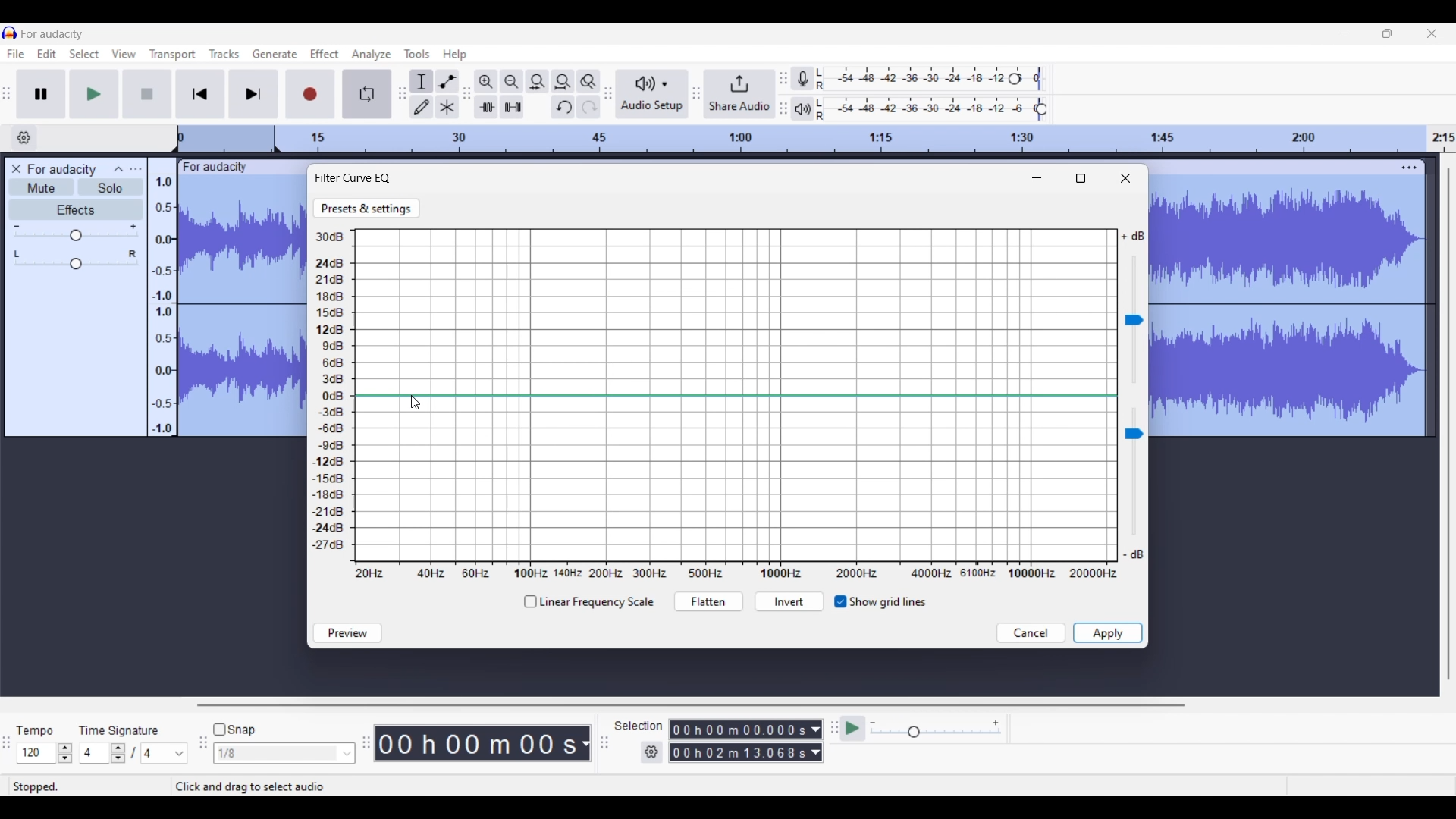  What do you see at coordinates (84, 55) in the screenshot?
I see `Select menu` at bounding box center [84, 55].